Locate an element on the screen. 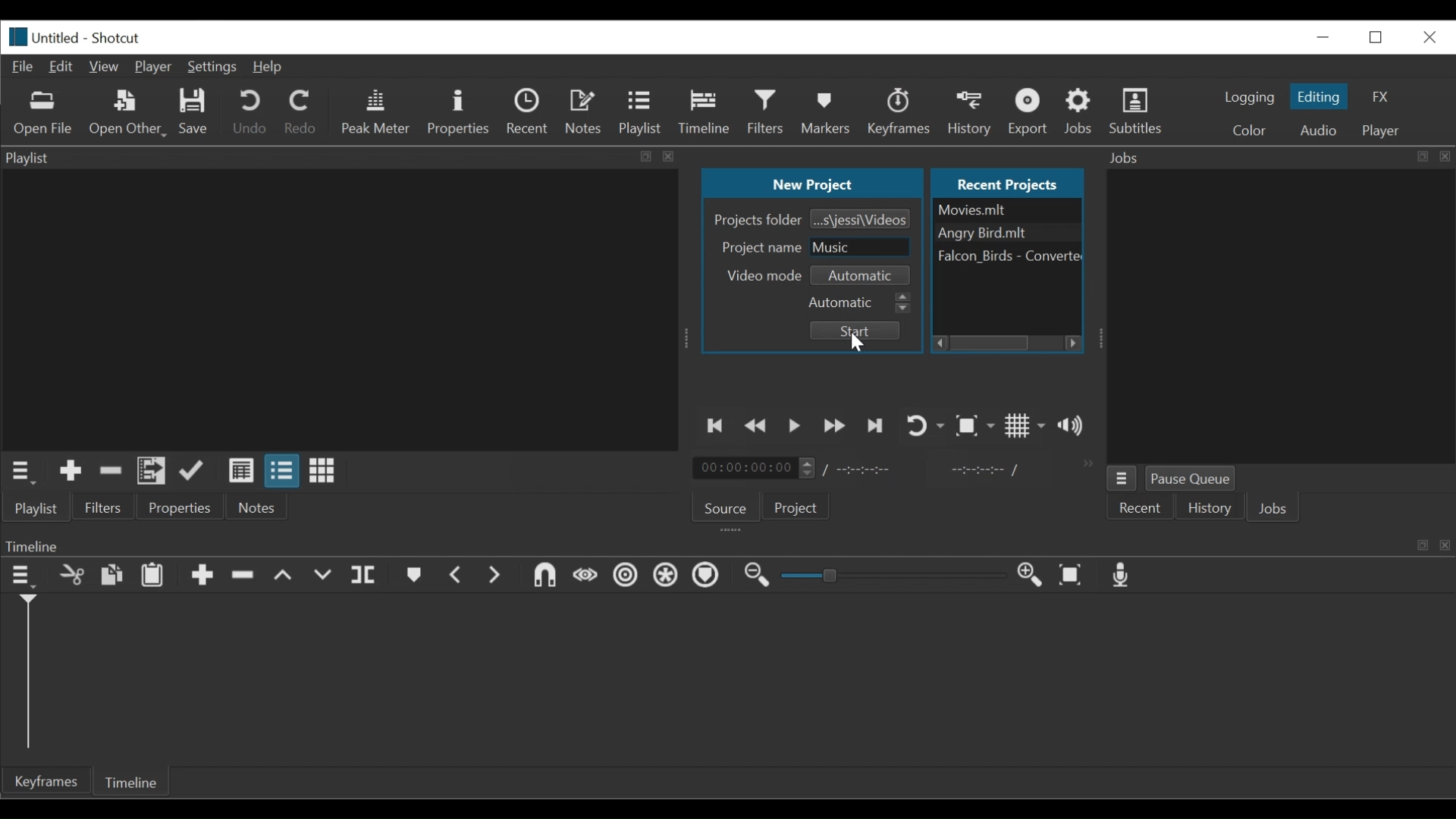 This screenshot has height=819, width=1456. Project name is located at coordinates (761, 249).